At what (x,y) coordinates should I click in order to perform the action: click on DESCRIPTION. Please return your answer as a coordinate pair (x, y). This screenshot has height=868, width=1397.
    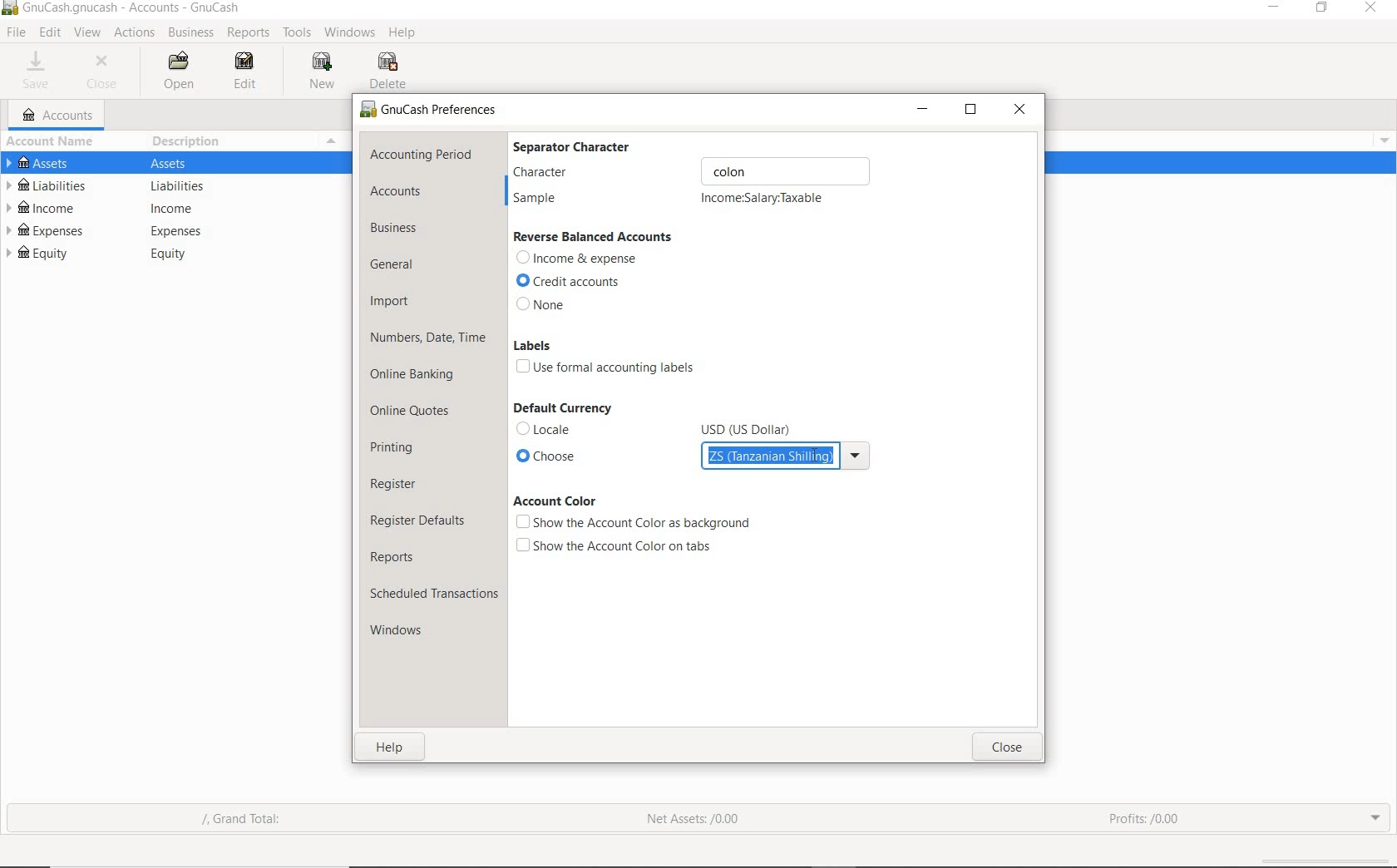
    Looking at the image, I should click on (195, 143).